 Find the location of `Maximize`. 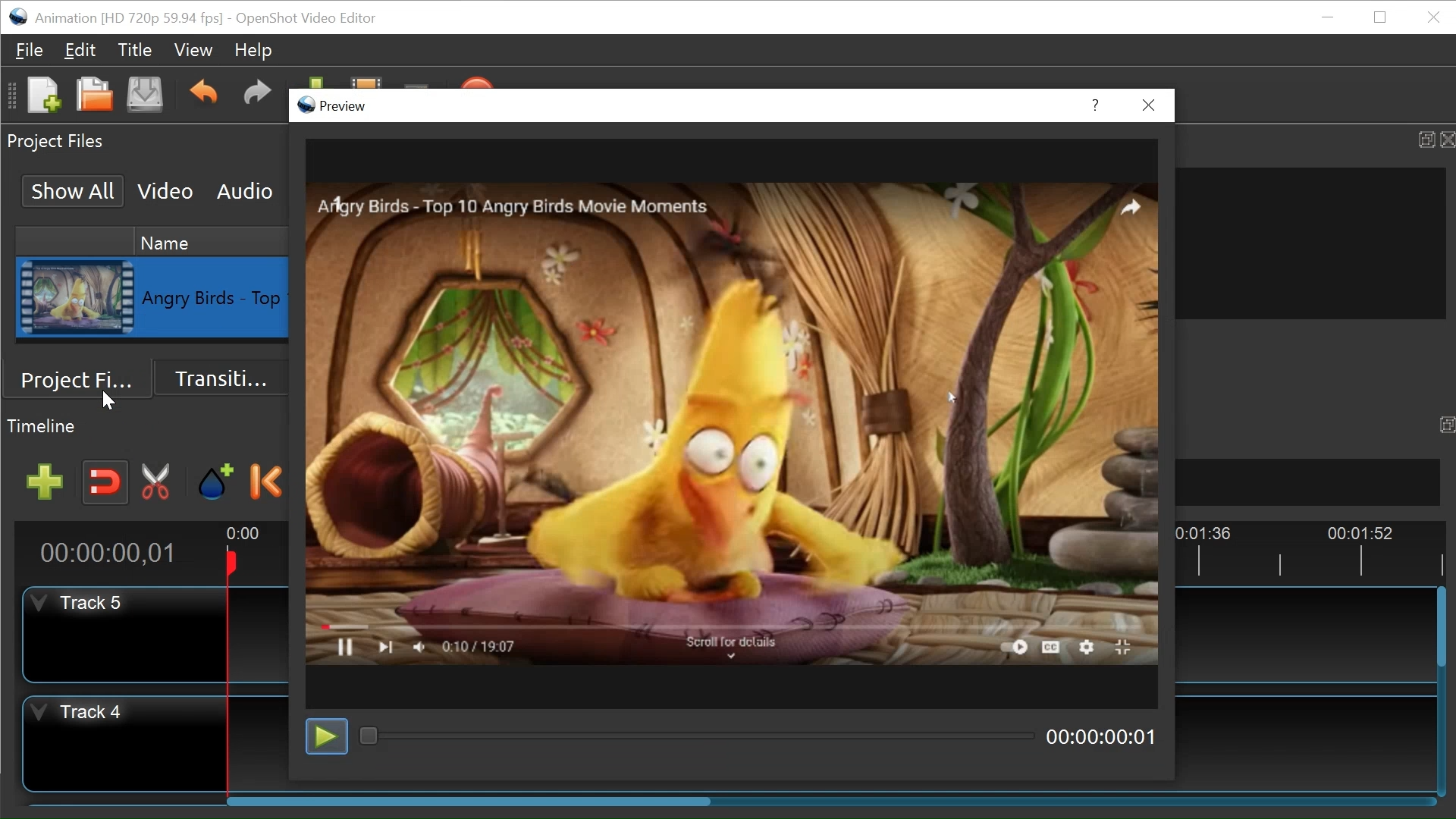

Maximize is located at coordinates (1445, 424).